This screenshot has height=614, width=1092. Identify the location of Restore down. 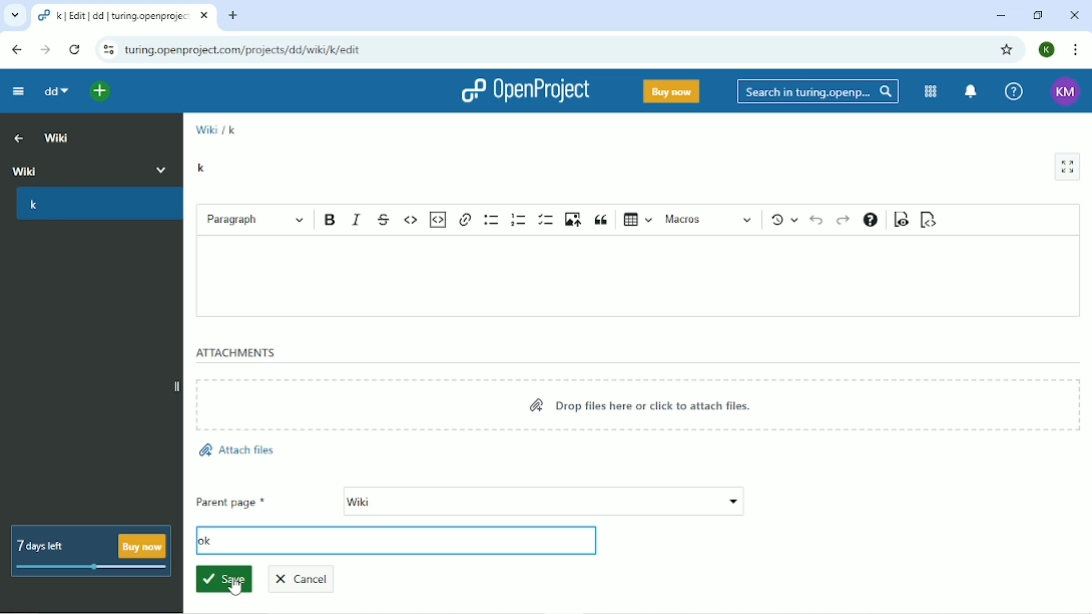
(1037, 15).